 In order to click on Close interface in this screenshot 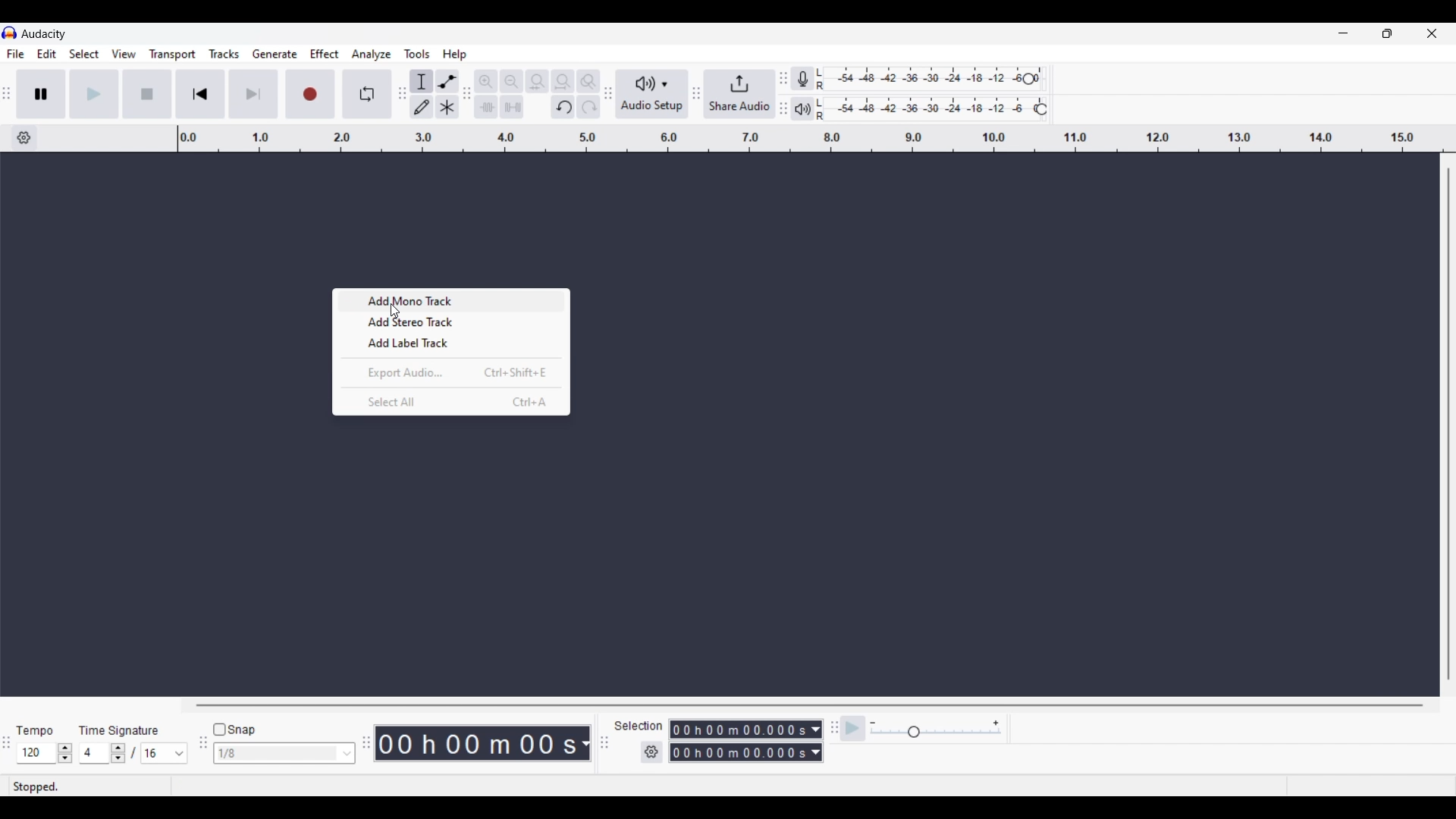, I will do `click(1432, 33)`.